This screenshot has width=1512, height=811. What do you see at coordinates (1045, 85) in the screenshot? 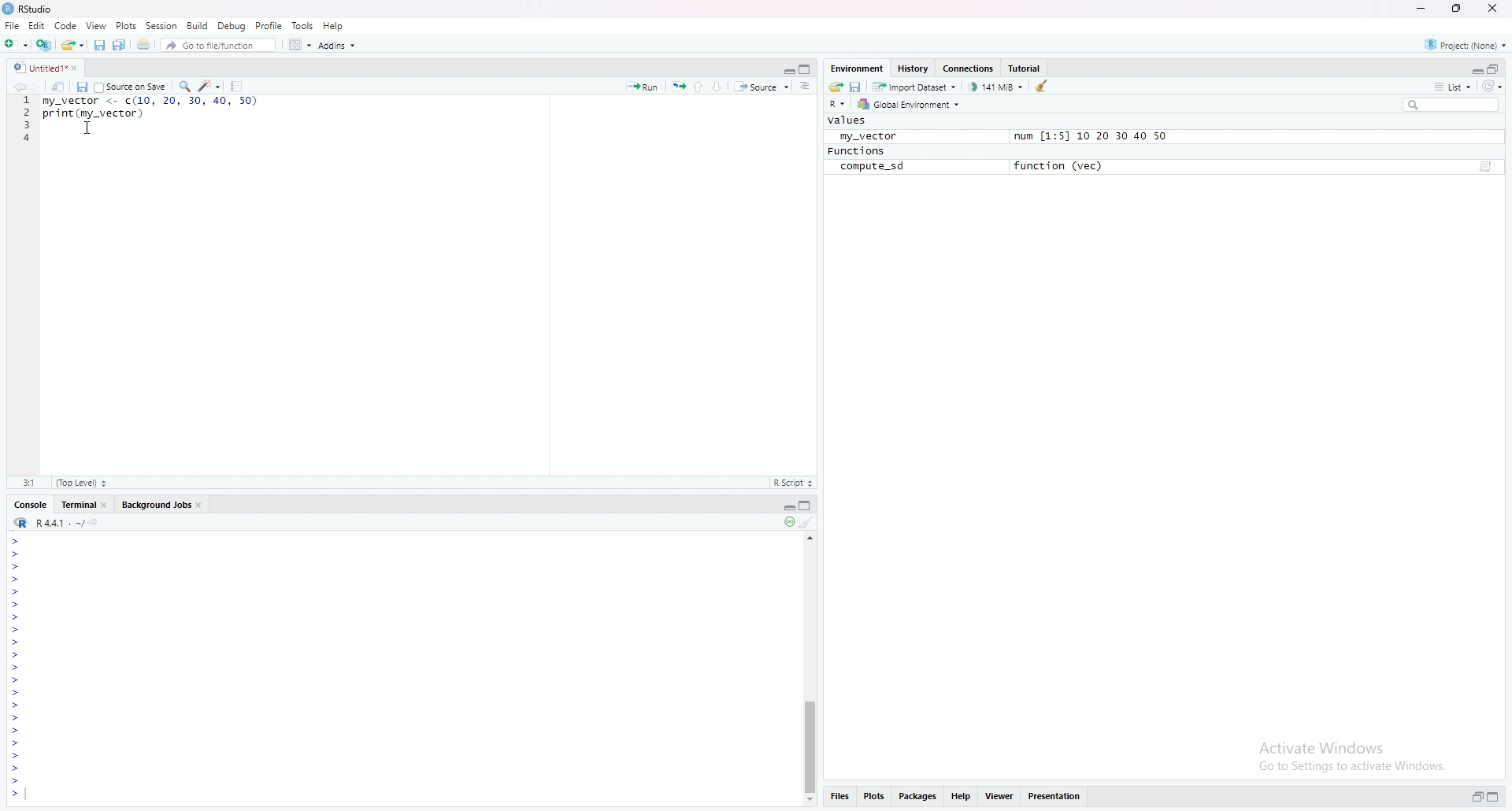
I see `Clear objects from the workspace` at bounding box center [1045, 85].